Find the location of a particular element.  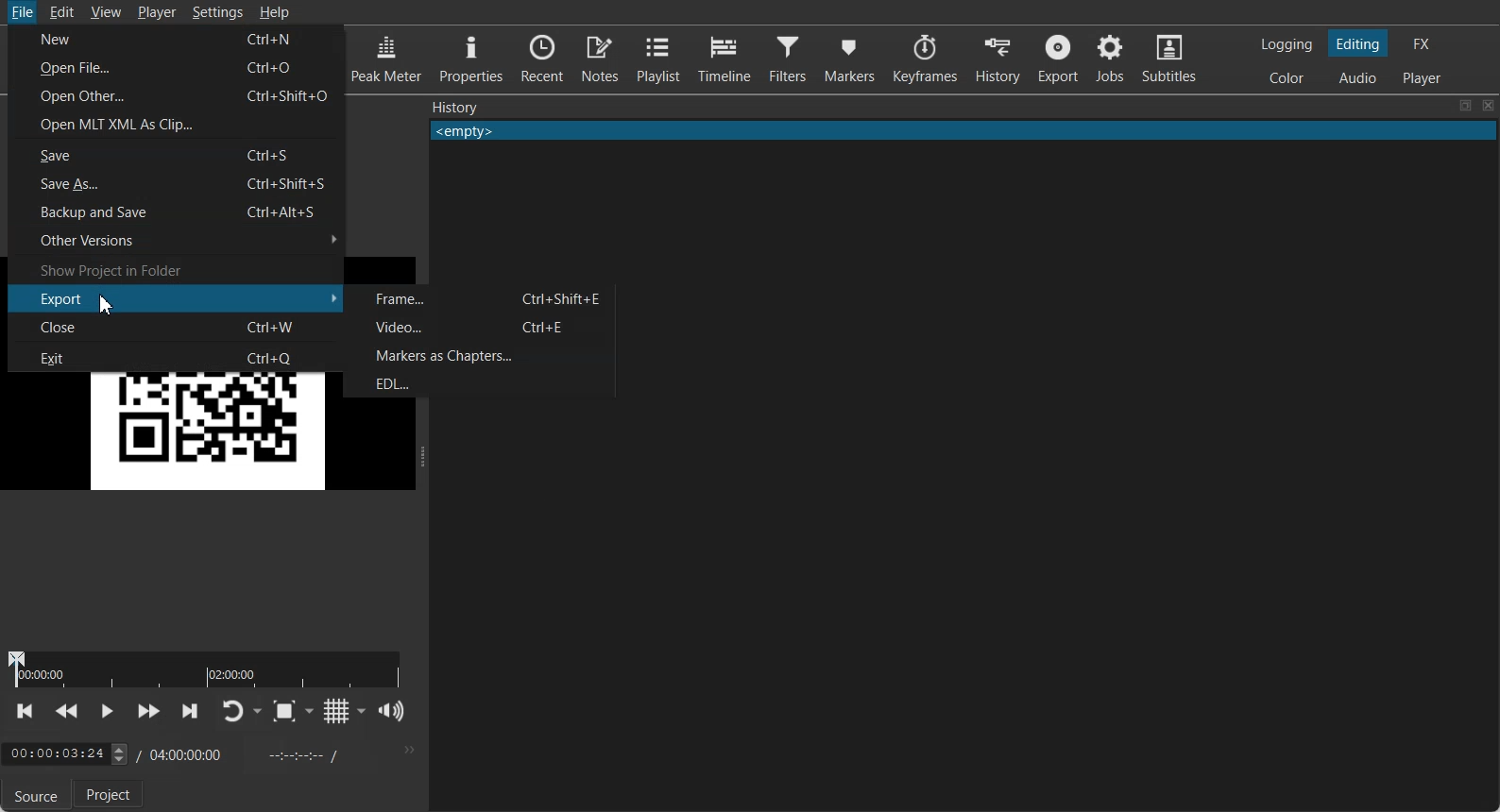

Drop down box is located at coordinates (362, 710).